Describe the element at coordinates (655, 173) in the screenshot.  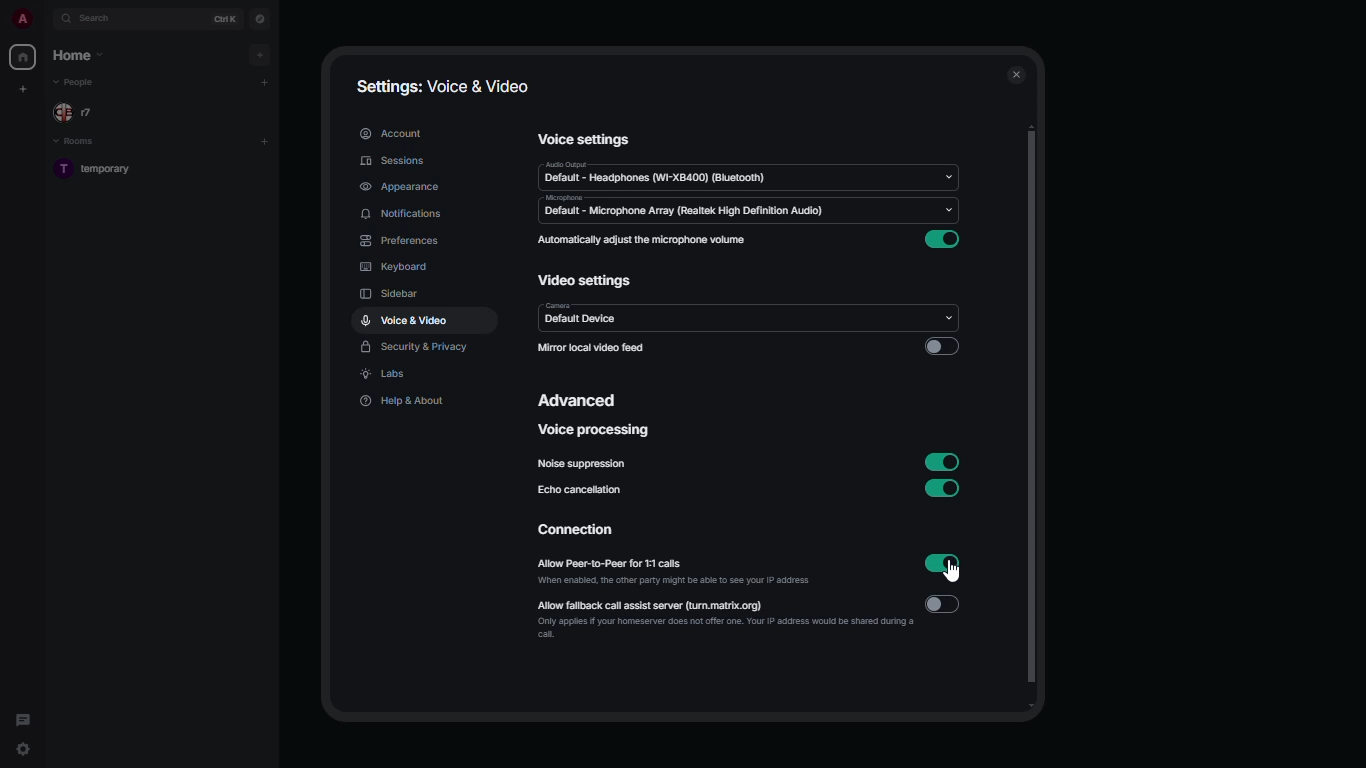
I see `audio default` at that location.